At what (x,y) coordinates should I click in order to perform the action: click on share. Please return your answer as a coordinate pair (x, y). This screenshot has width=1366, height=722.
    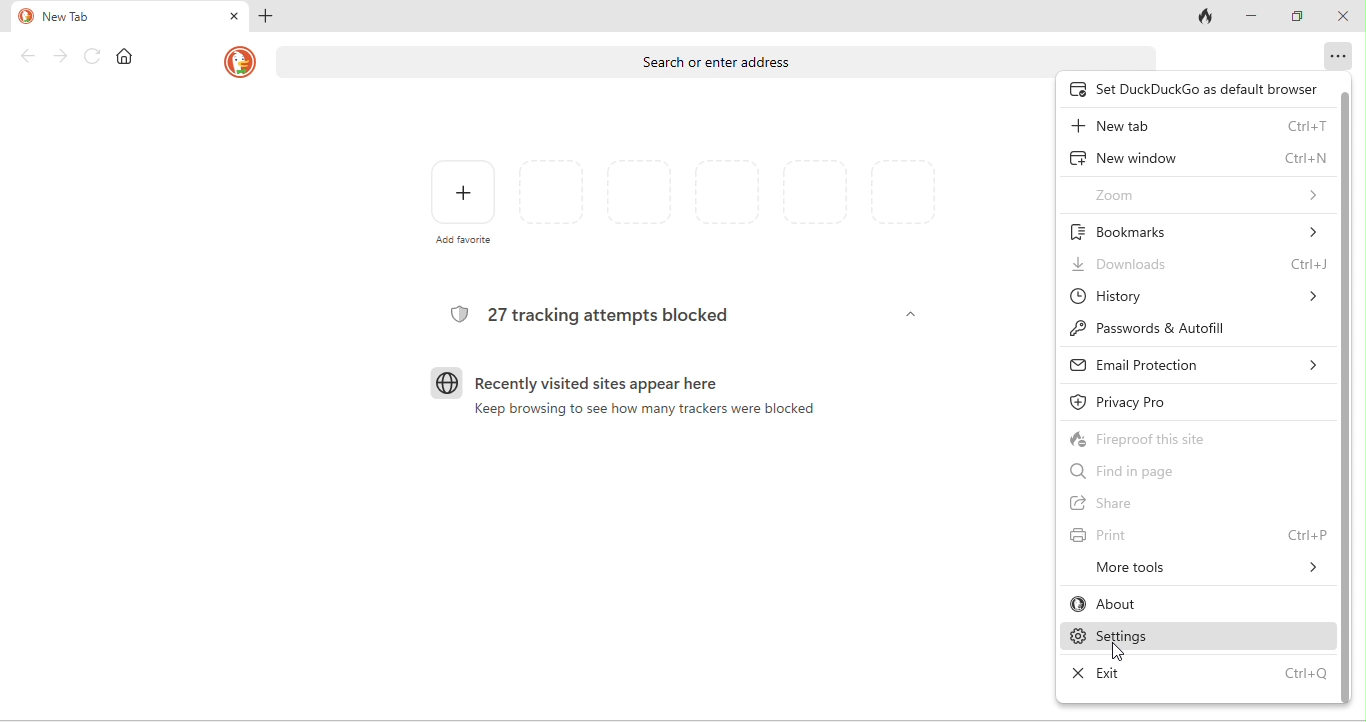
    Looking at the image, I should click on (1123, 504).